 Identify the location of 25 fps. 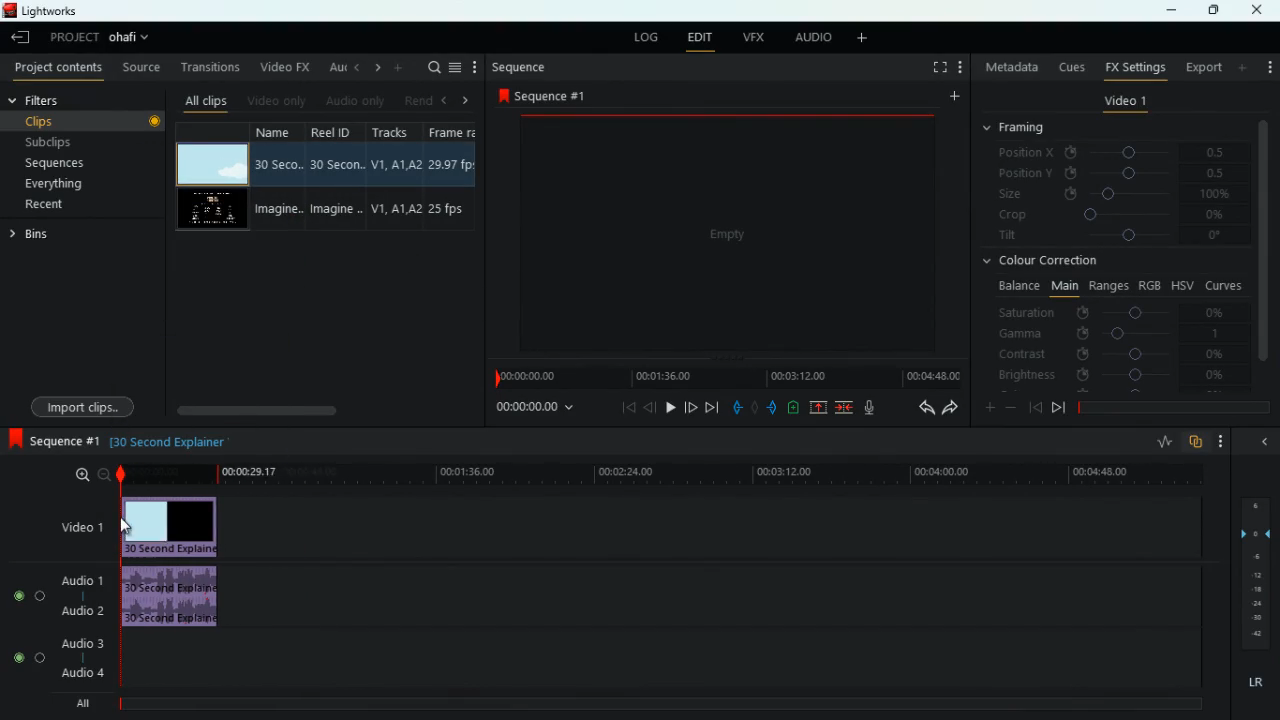
(452, 208).